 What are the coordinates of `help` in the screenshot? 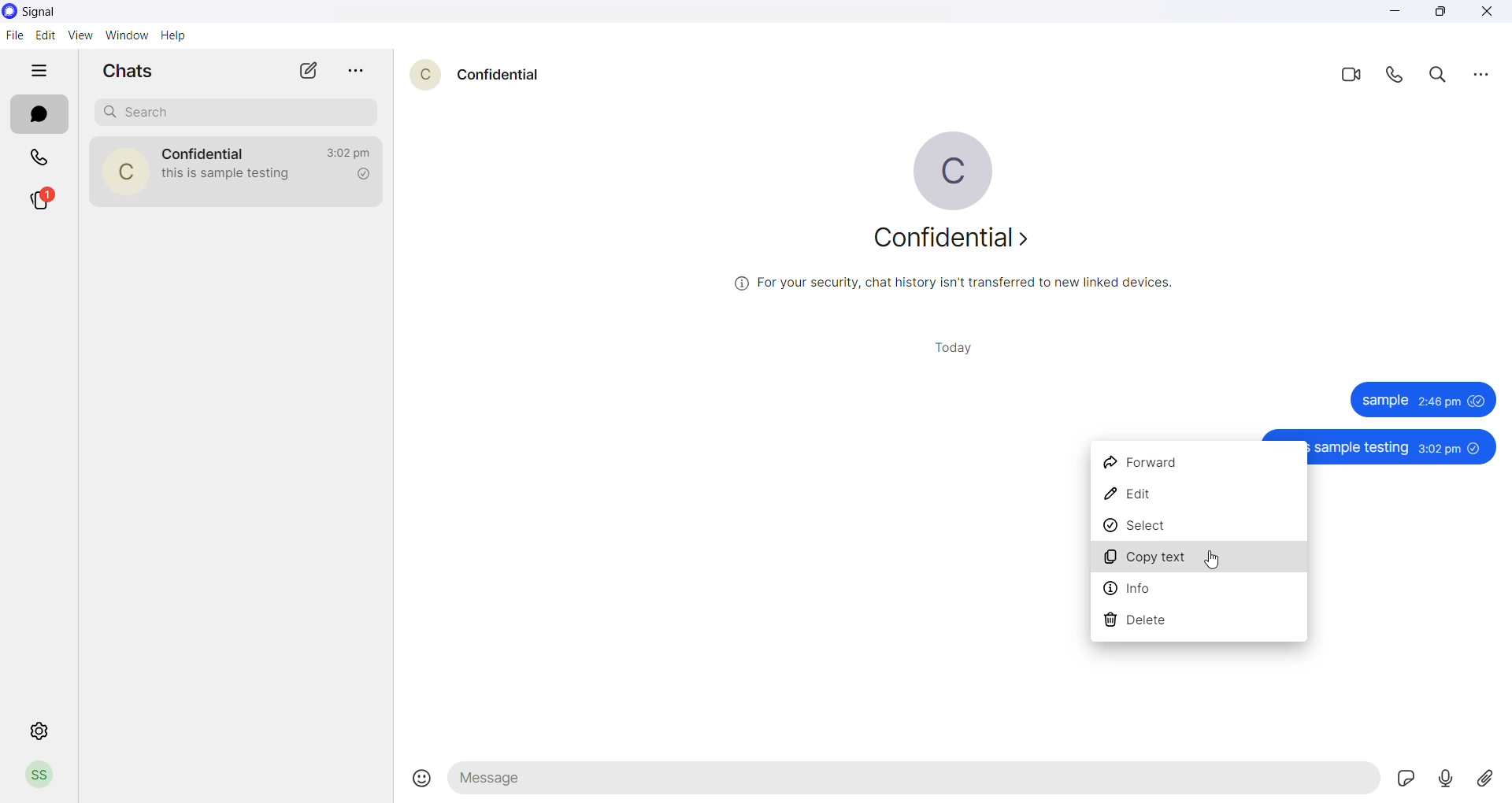 It's located at (174, 35).